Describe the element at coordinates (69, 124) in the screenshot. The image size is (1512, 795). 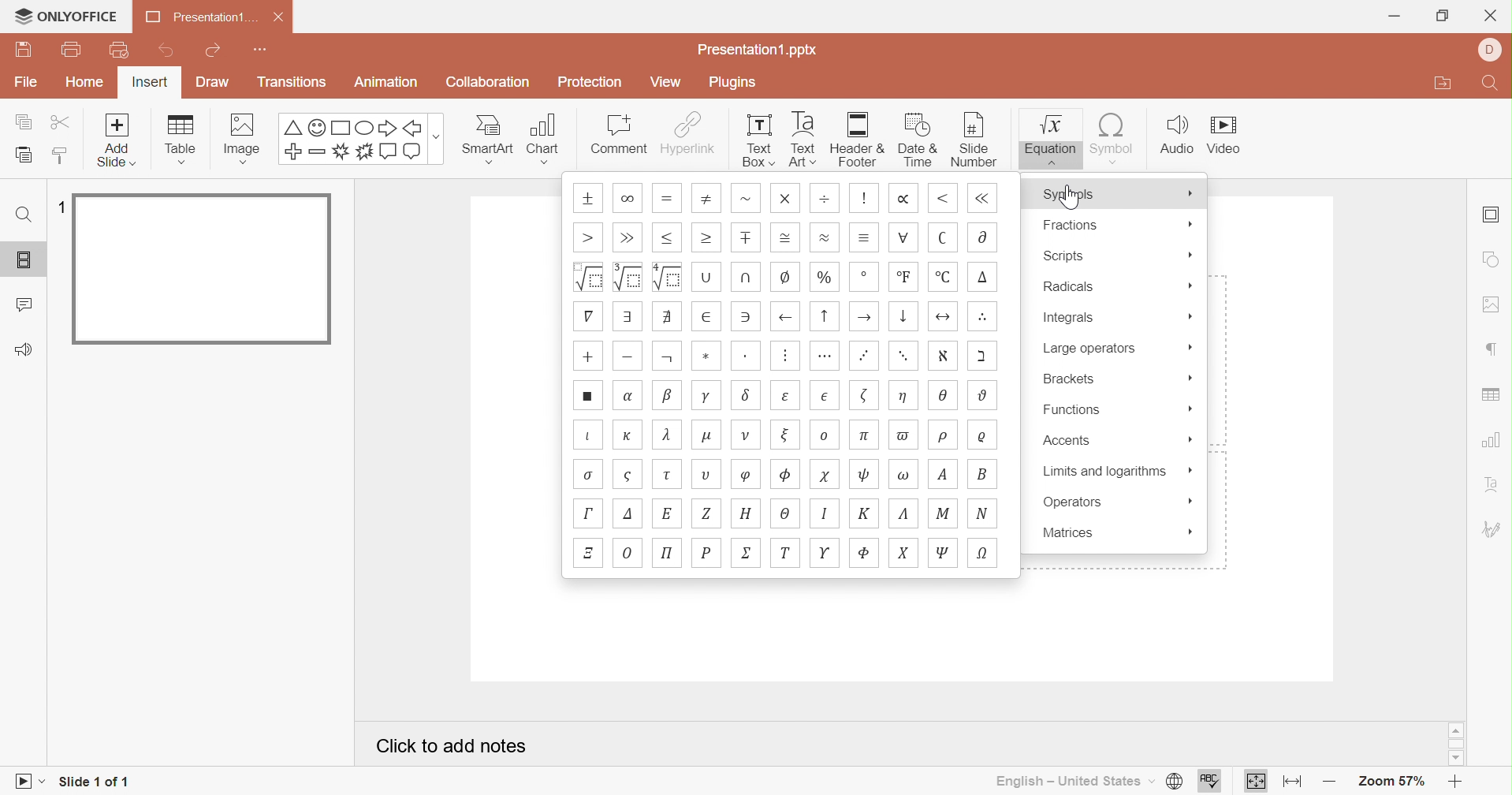
I see `Cut` at that location.